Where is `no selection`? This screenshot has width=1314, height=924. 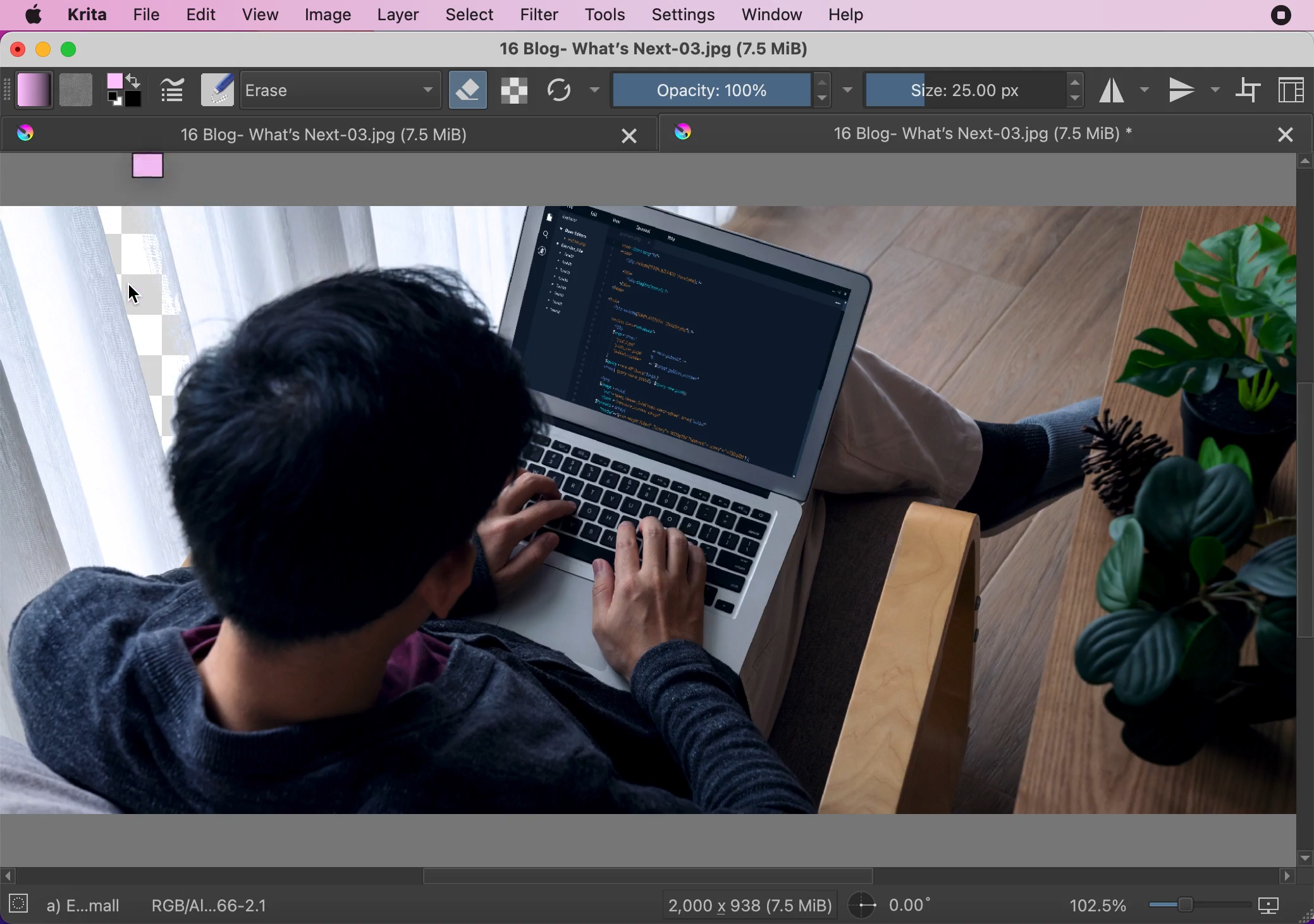
no selection is located at coordinates (25, 903).